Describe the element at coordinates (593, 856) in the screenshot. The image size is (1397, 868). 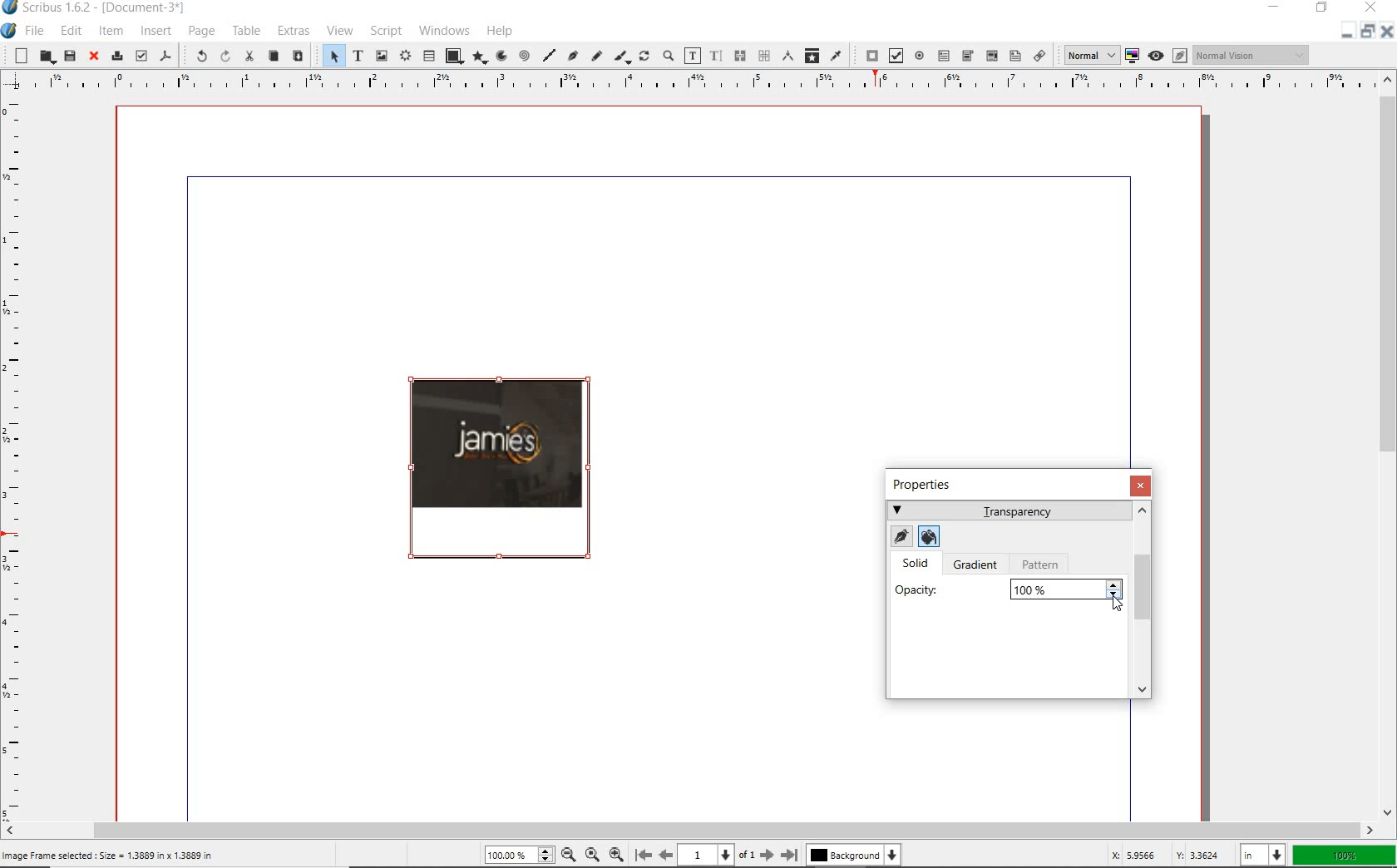
I see `zoom to` at that location.